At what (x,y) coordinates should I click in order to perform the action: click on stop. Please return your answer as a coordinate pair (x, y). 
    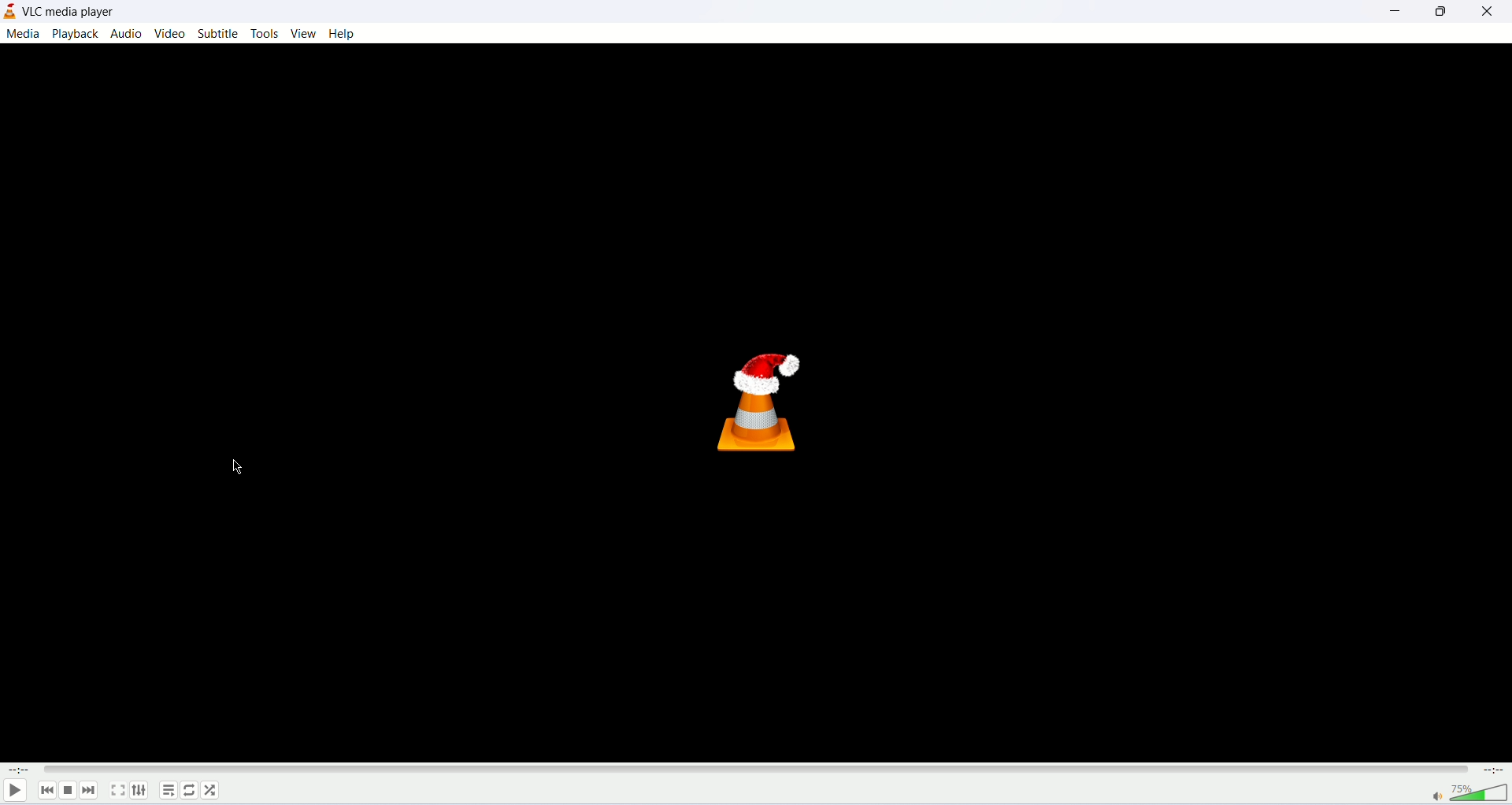
    Looking at the image, I should click on (67, 790).